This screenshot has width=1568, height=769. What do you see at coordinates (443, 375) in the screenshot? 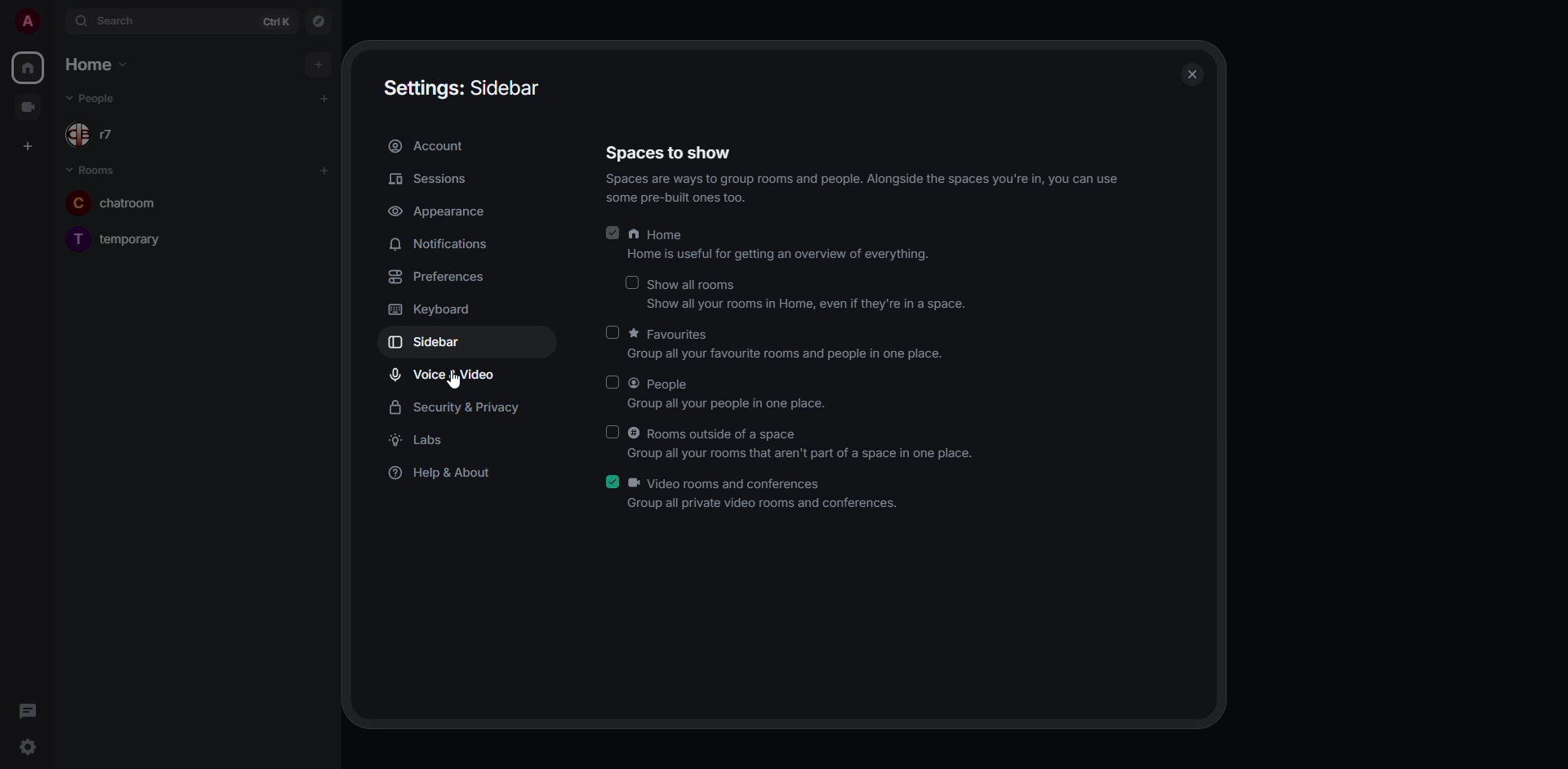
I see `voice & video` at bounding box center [443, 375].